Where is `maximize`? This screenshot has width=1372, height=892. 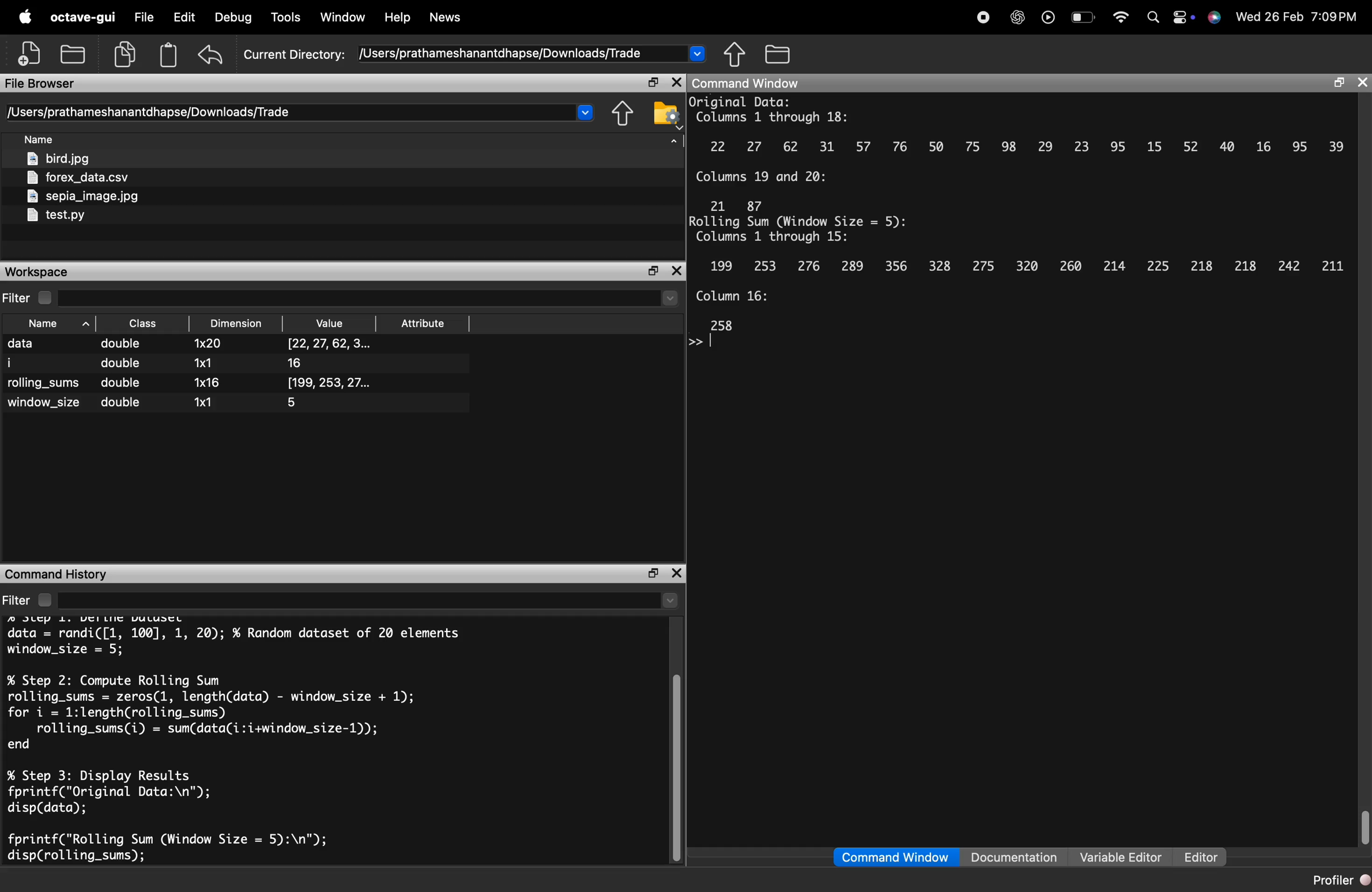
maximize is located at coordinates (653, 271).